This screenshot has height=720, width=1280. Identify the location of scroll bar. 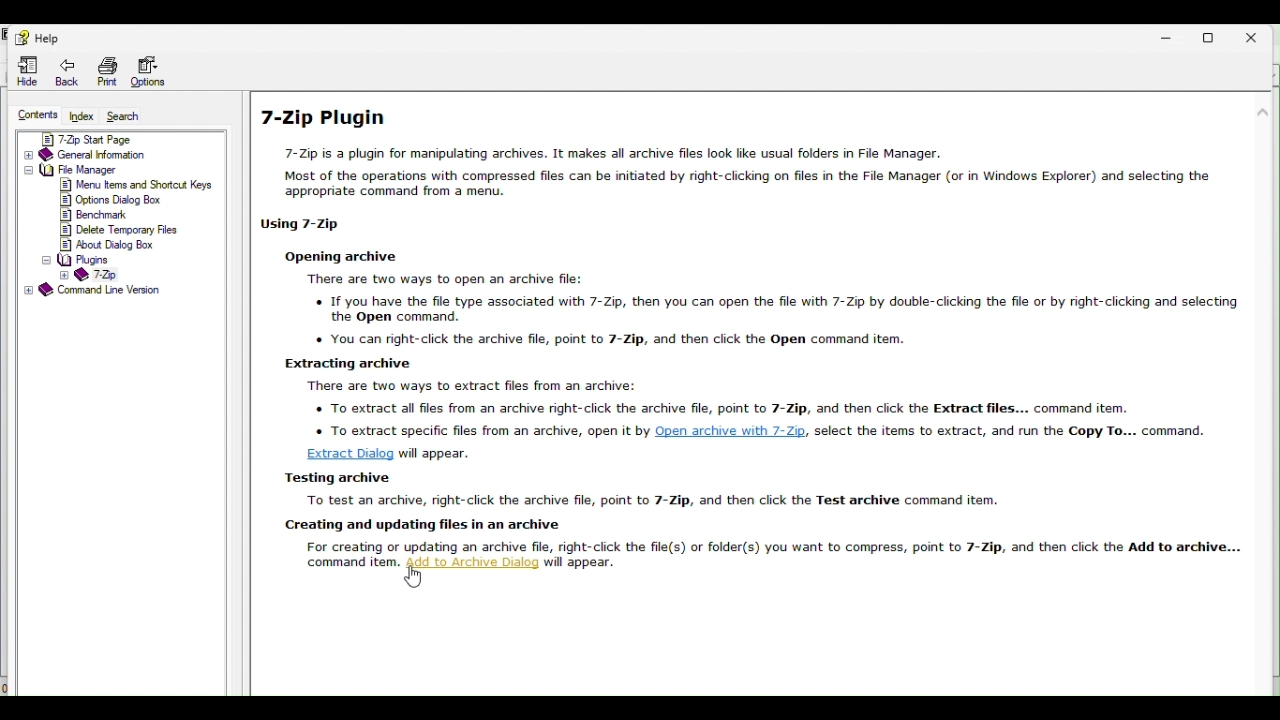
(1265, 181).